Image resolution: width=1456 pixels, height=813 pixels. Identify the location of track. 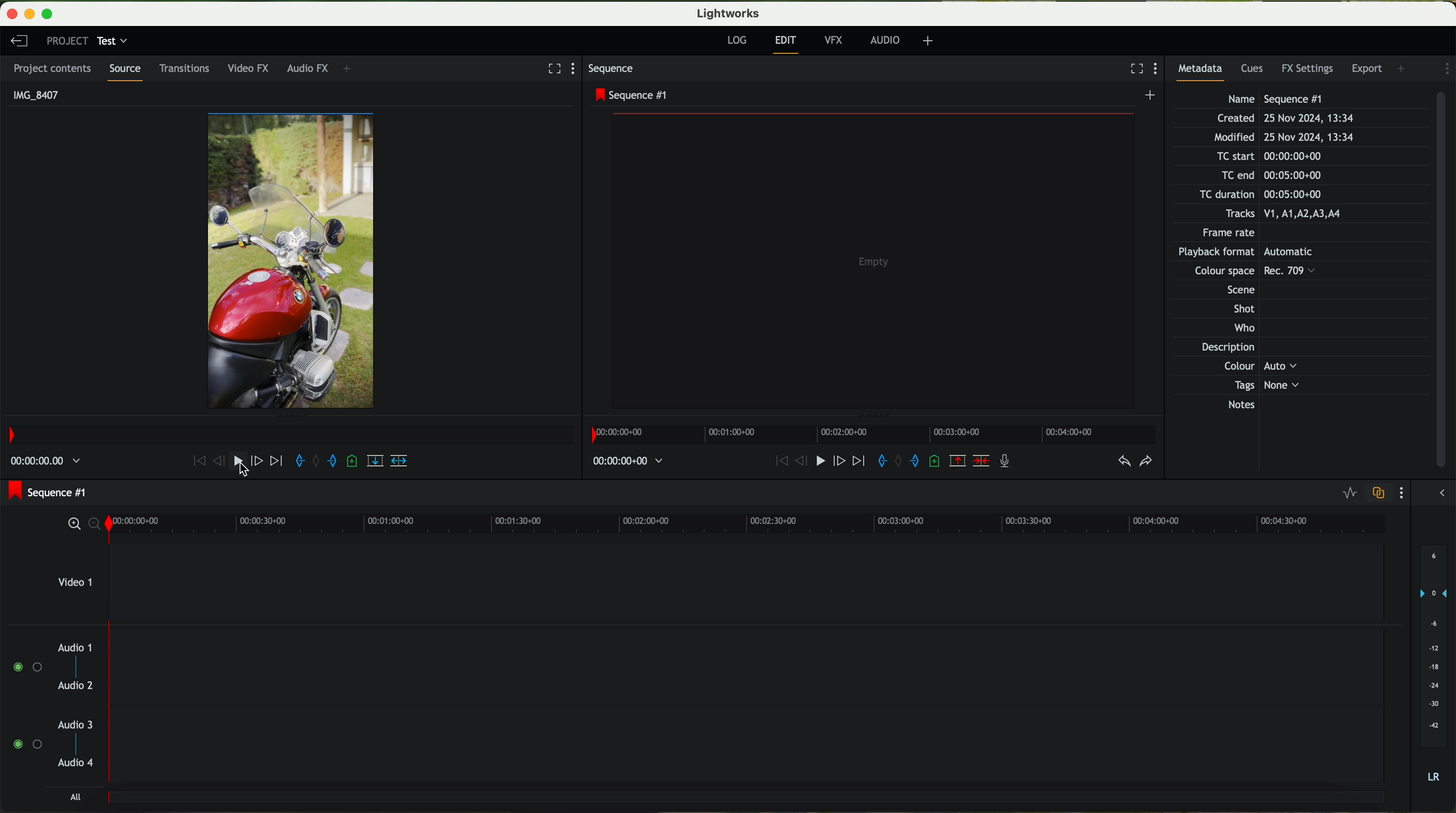
(749, 663).